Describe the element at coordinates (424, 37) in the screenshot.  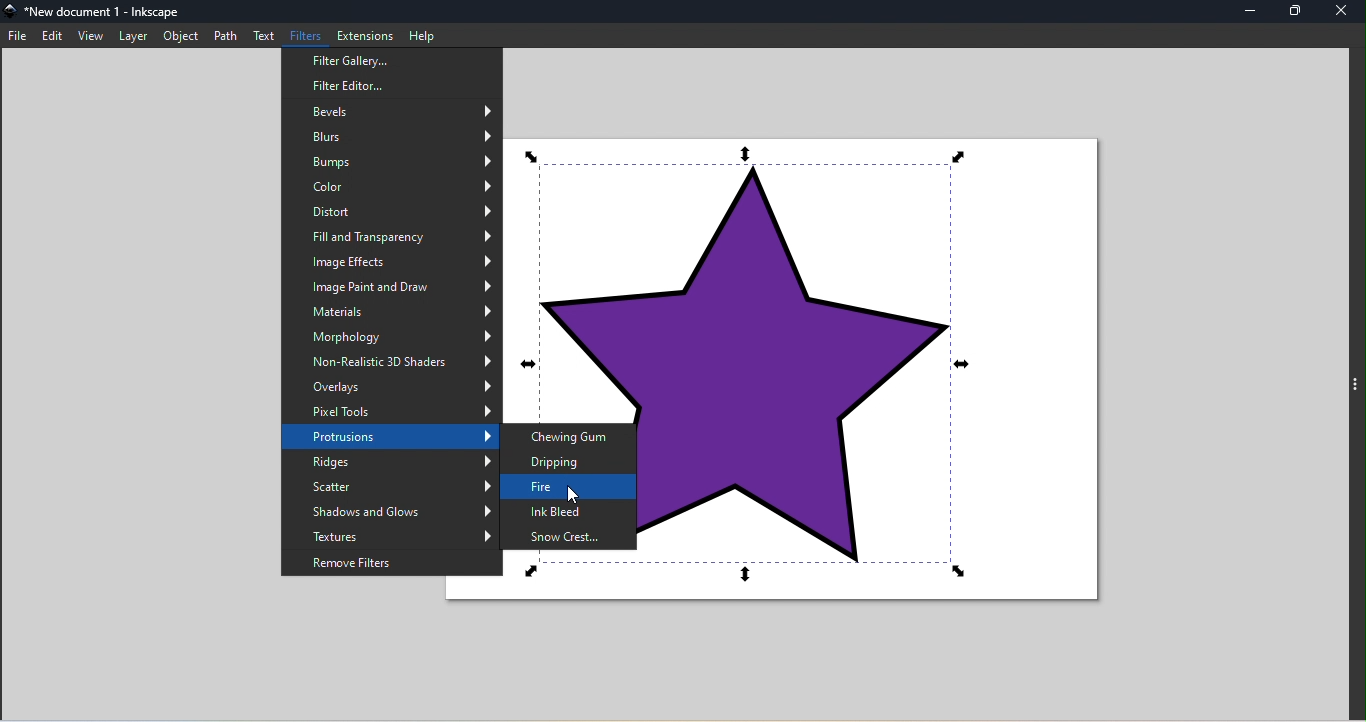
I see `Help` at that location.